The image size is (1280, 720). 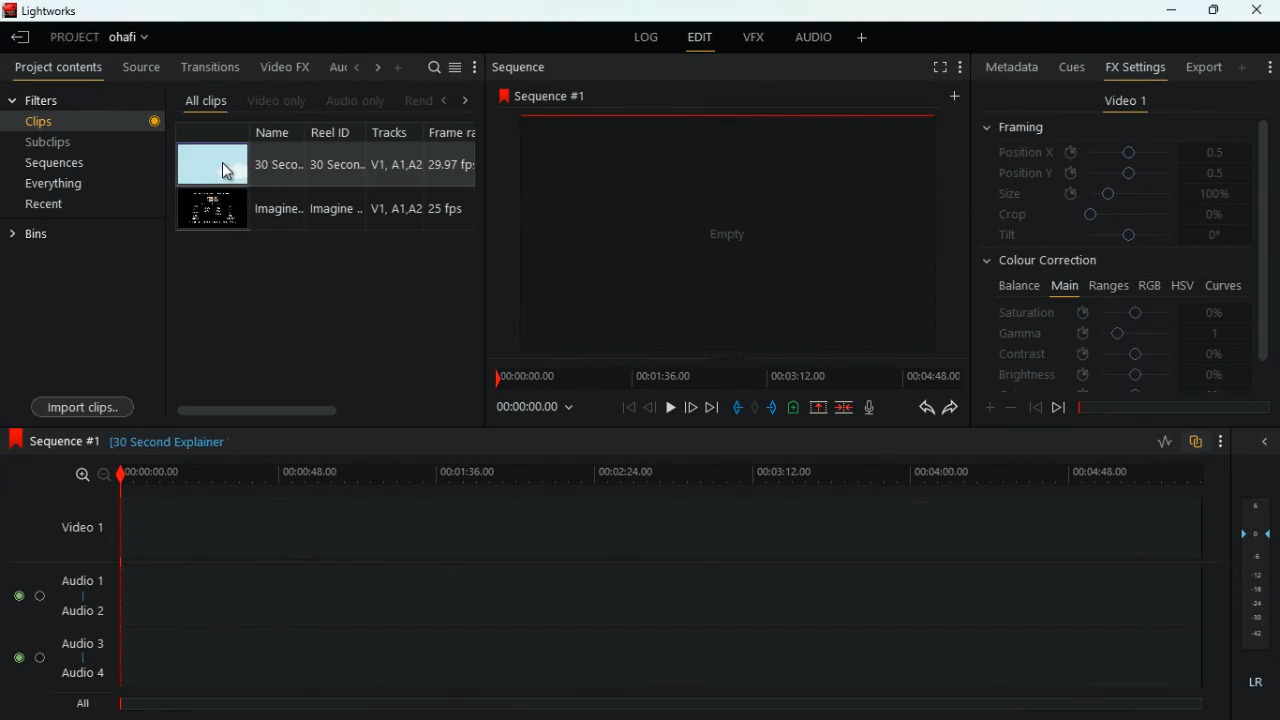 I want to click on explanation, so click(x=170, y=443).